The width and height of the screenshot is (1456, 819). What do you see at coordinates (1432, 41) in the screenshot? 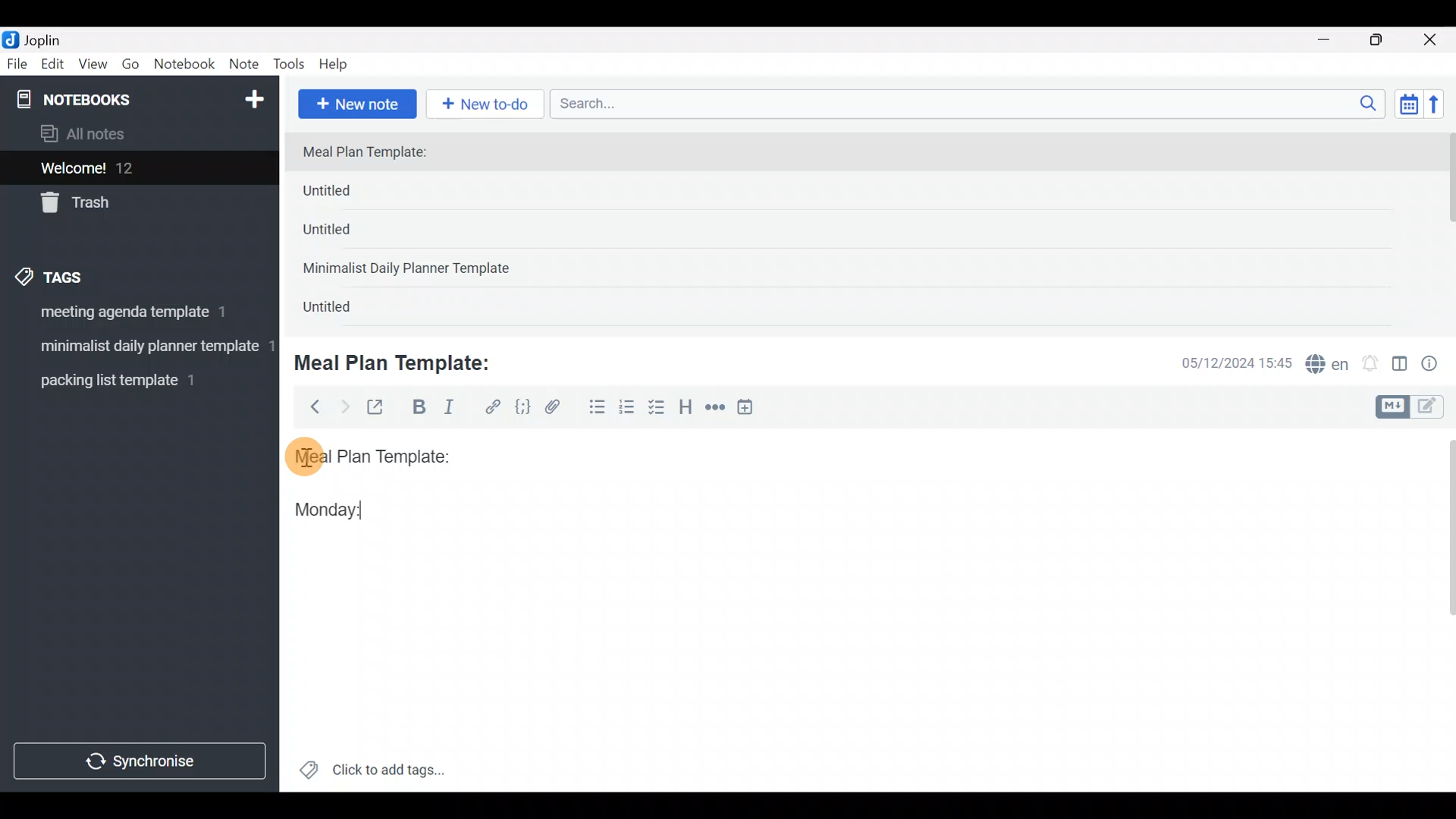
I see `Close` at bounding box center [1432, 41].